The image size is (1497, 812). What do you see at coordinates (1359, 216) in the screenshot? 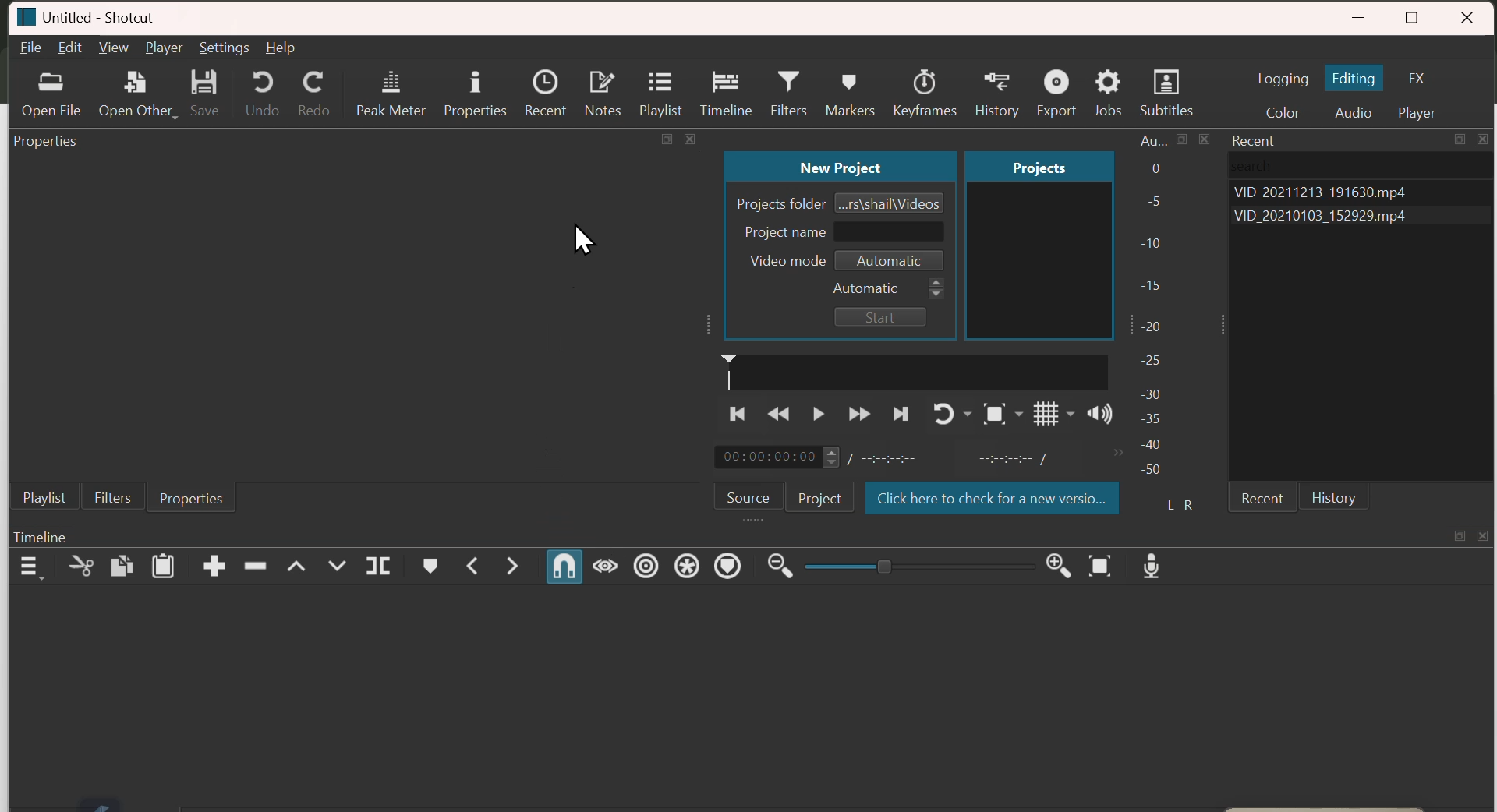
I see `File clip` at bounding box center [1359, 216].